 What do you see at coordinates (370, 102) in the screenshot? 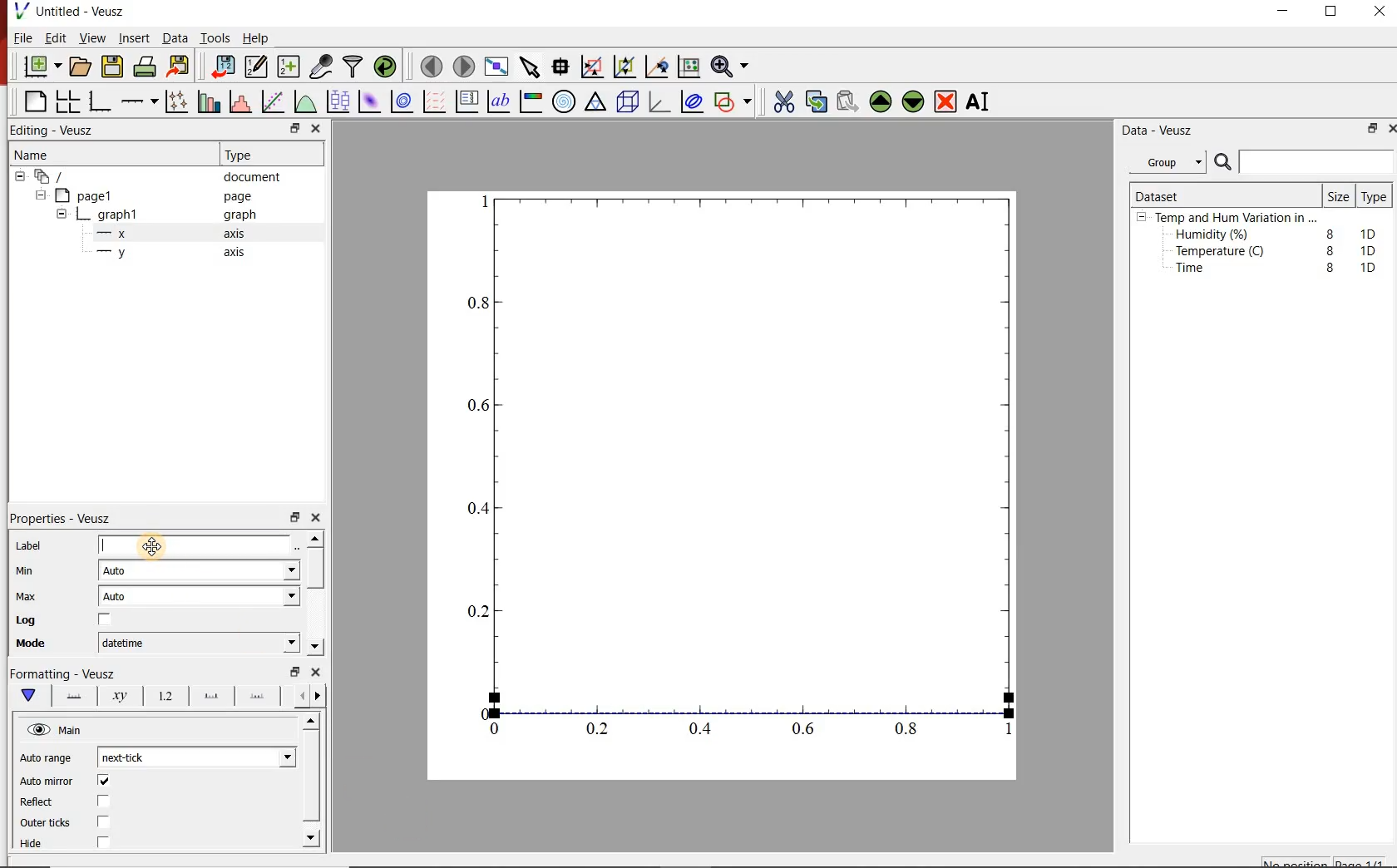
I see `plot a 2d dataset as an image` at bounding box center [370, 102].